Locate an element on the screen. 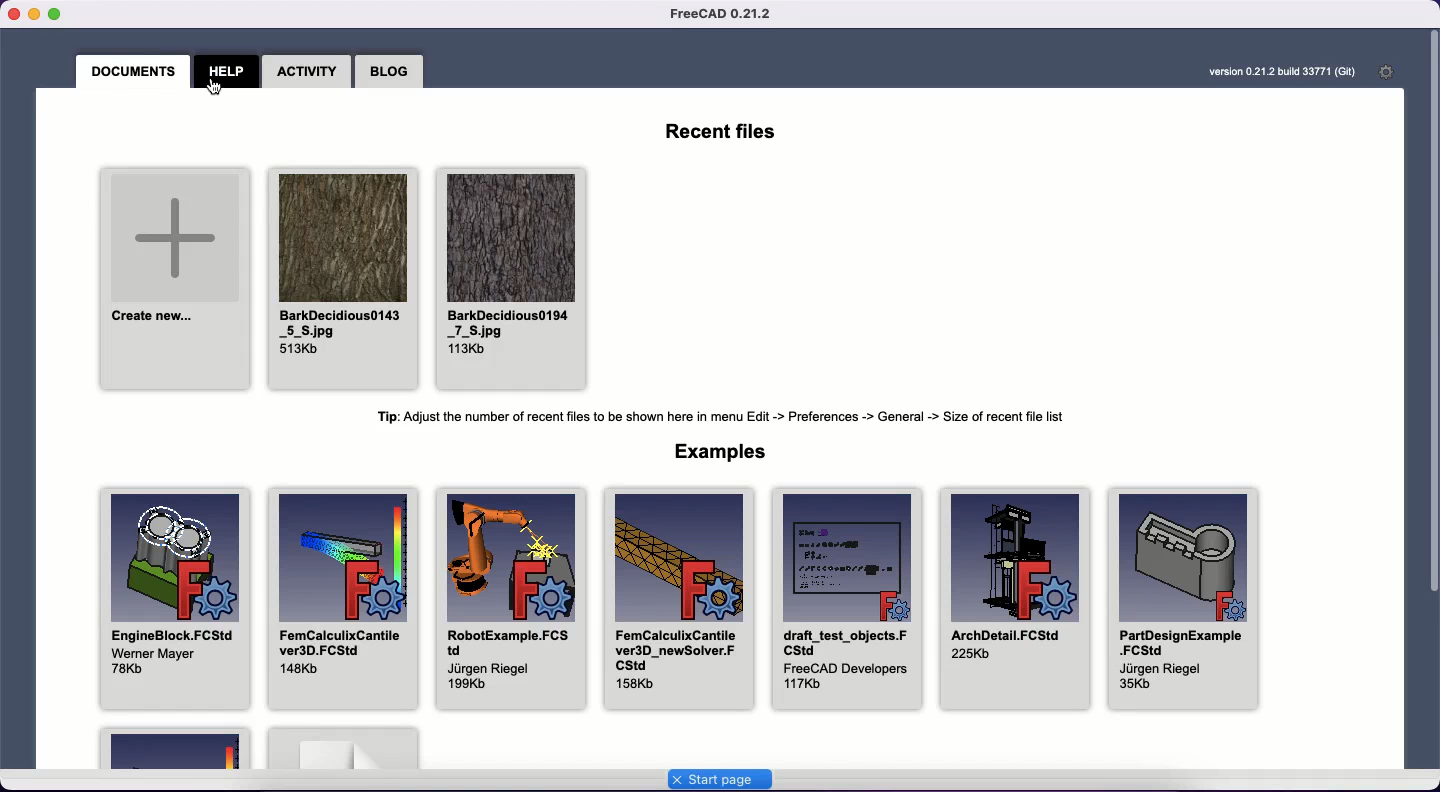 This screenshot has width=1440, height=792. Version is located at coordinates (1285, 72).